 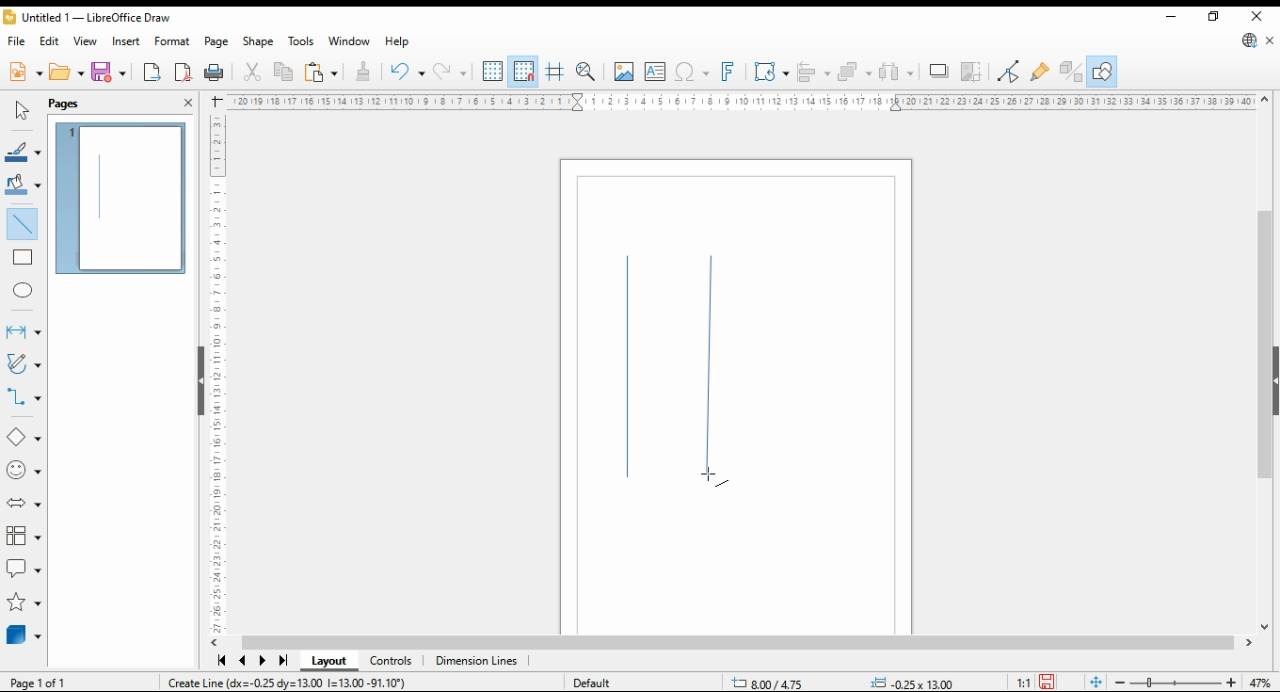 I want to click on mouse pointer, so click(x=712, y=476).